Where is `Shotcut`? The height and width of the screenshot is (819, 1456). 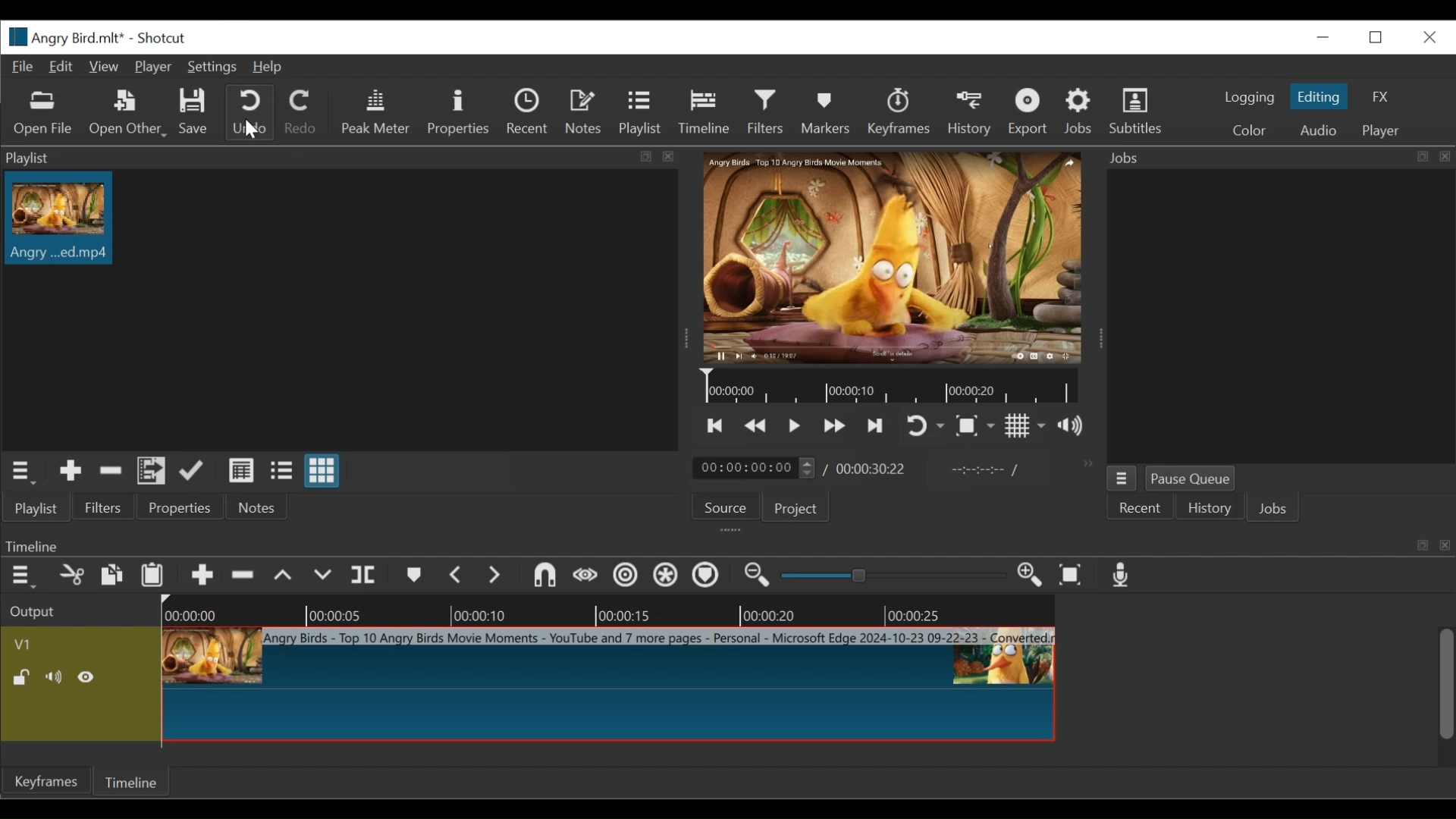
Shotcut is located at coordinates (157, 39).